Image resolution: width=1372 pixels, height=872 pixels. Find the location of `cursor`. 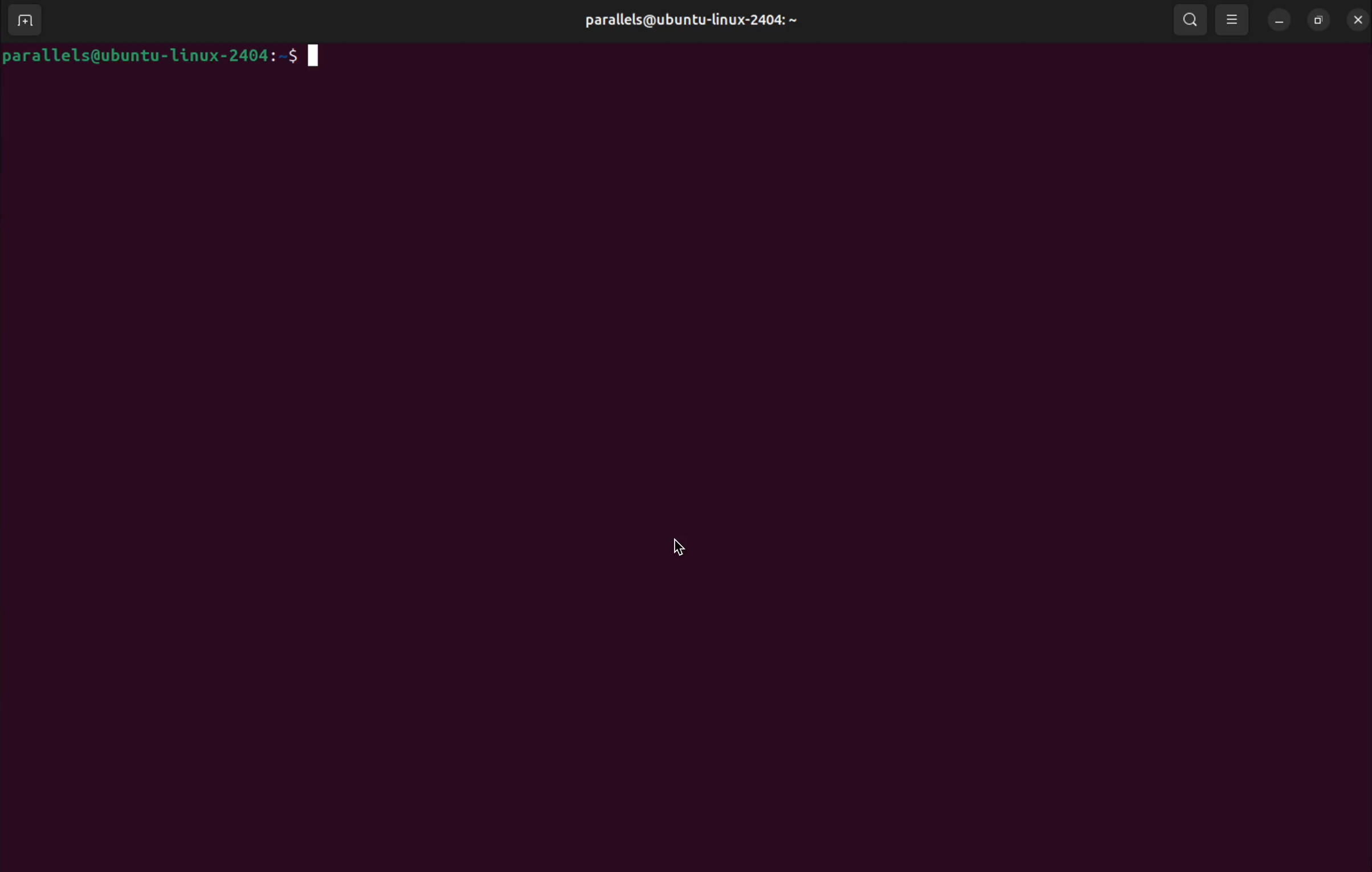

cursor is located at coordinates (685, 551).